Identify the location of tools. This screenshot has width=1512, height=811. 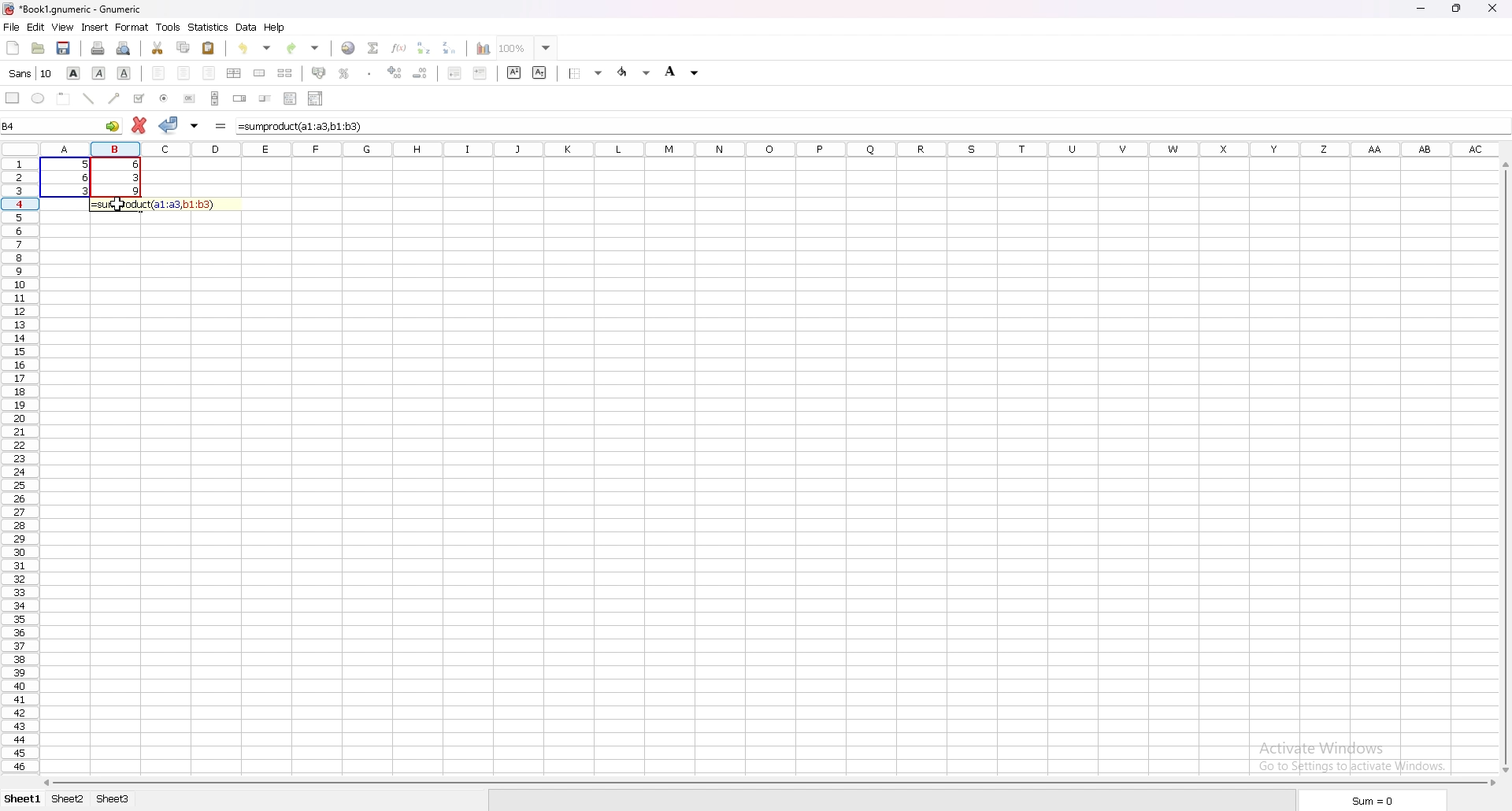
(168, 28).